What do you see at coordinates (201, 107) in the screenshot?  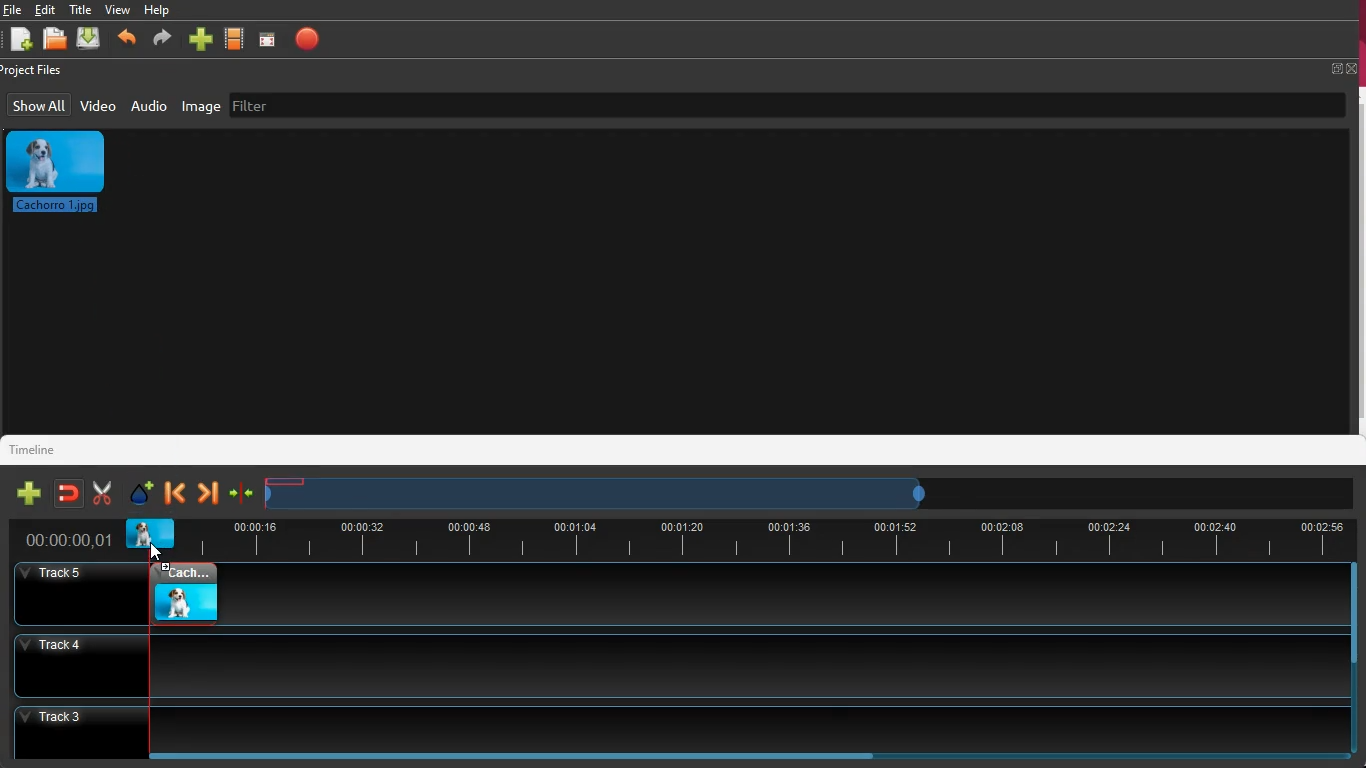 I see `image` at bounding box center [201, 107].